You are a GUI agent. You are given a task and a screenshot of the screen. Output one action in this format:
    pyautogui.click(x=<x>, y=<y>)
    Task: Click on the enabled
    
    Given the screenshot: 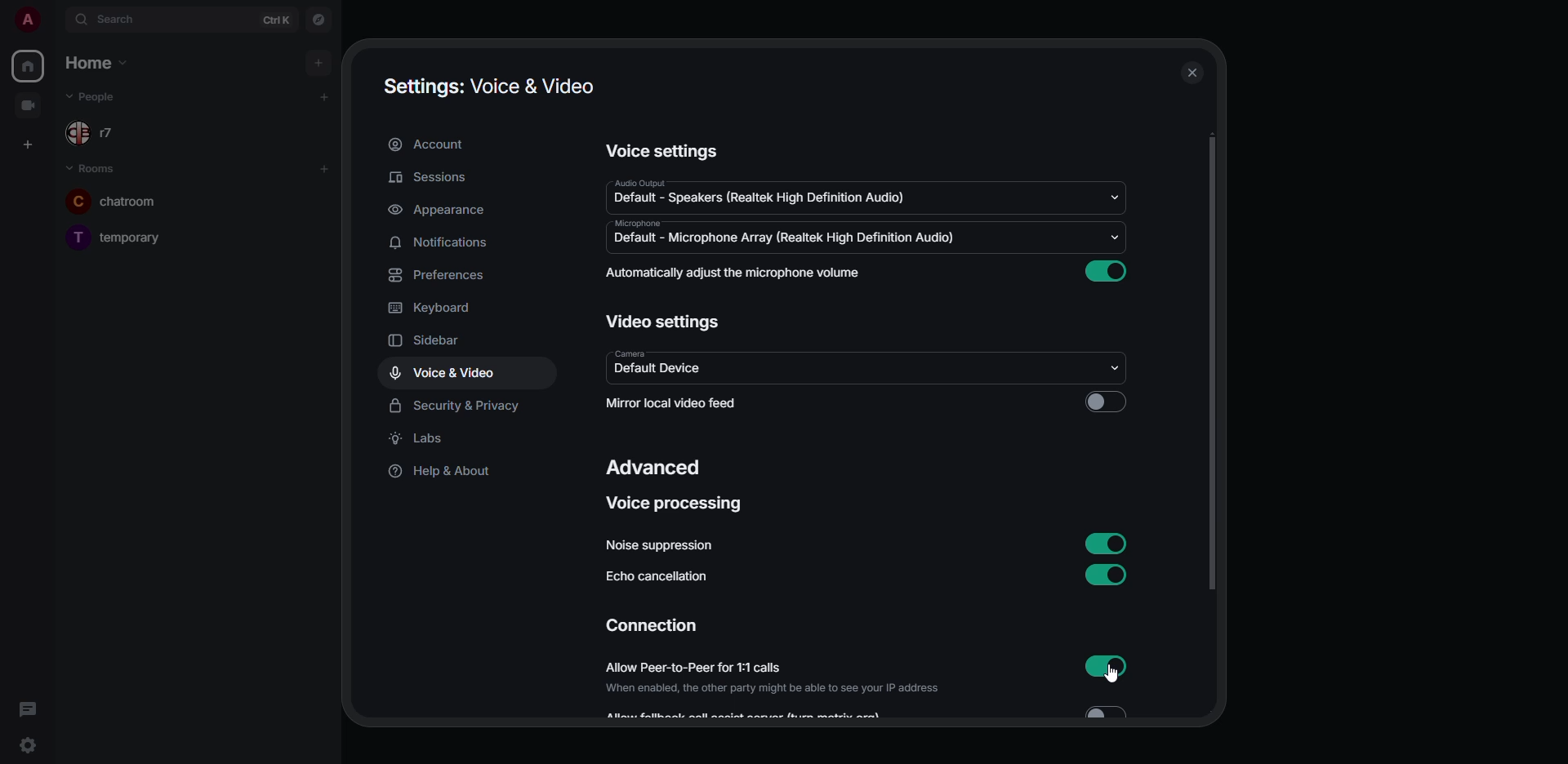 What is the action you would take?
    pyautogui.click(x=1110, y=664)
    